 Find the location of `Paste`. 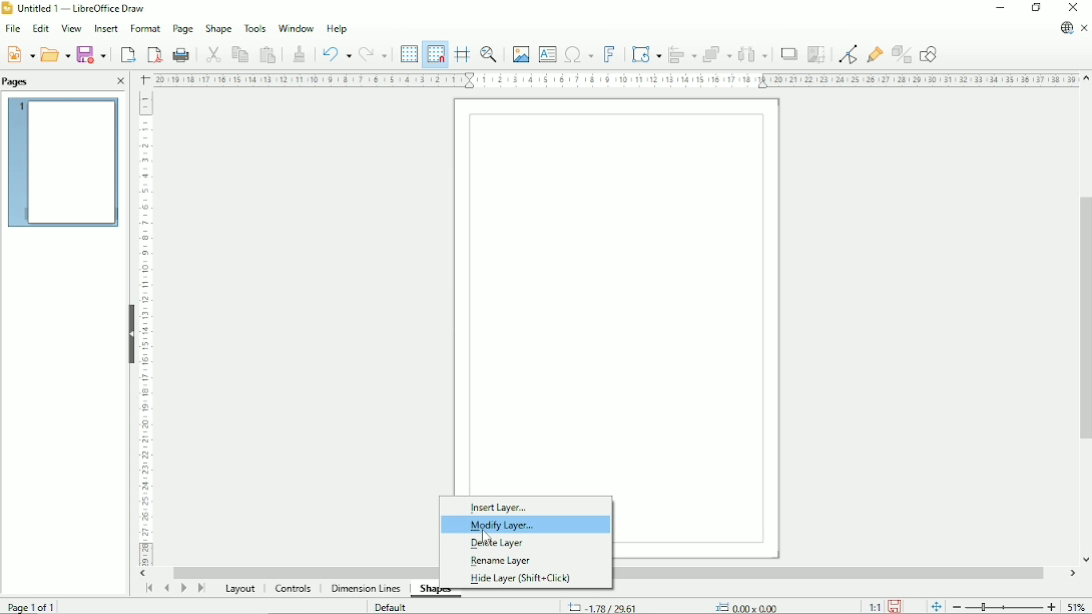

Paste is located at coordinates (268, 54).